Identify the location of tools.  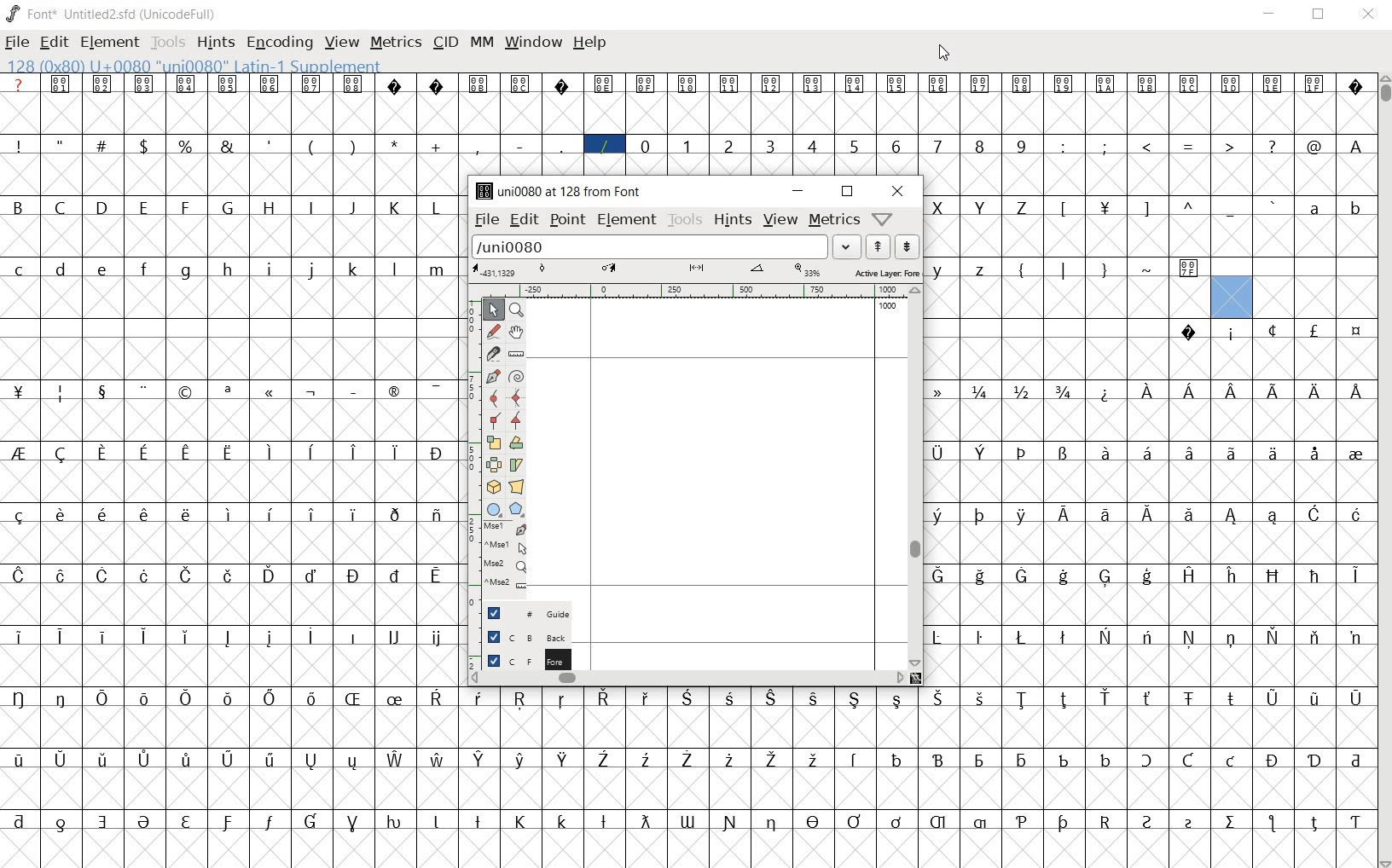
(684, 219).